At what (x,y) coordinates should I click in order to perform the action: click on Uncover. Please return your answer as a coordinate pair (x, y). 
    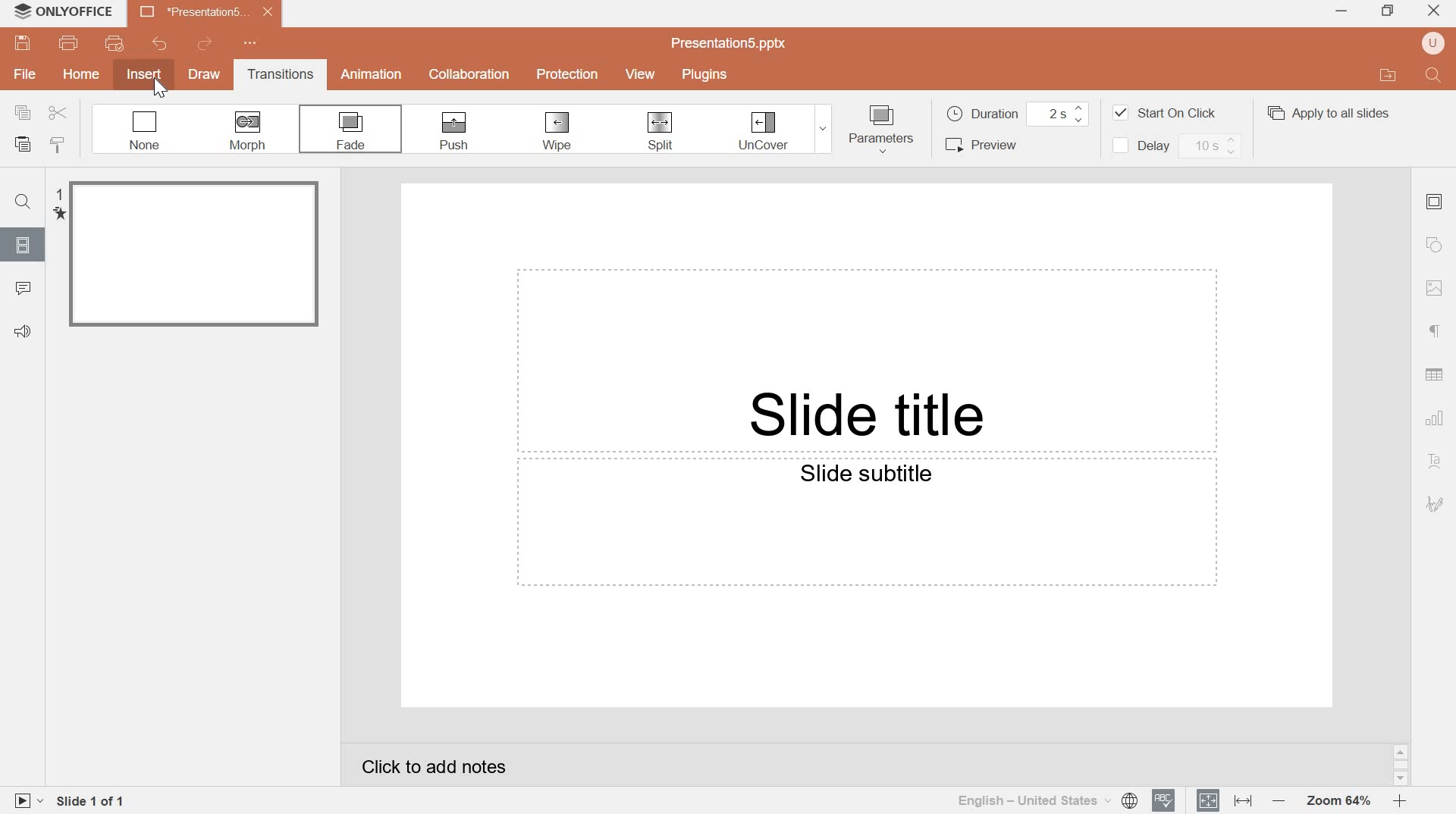
    Looking at the image, I should click on (764, 131).